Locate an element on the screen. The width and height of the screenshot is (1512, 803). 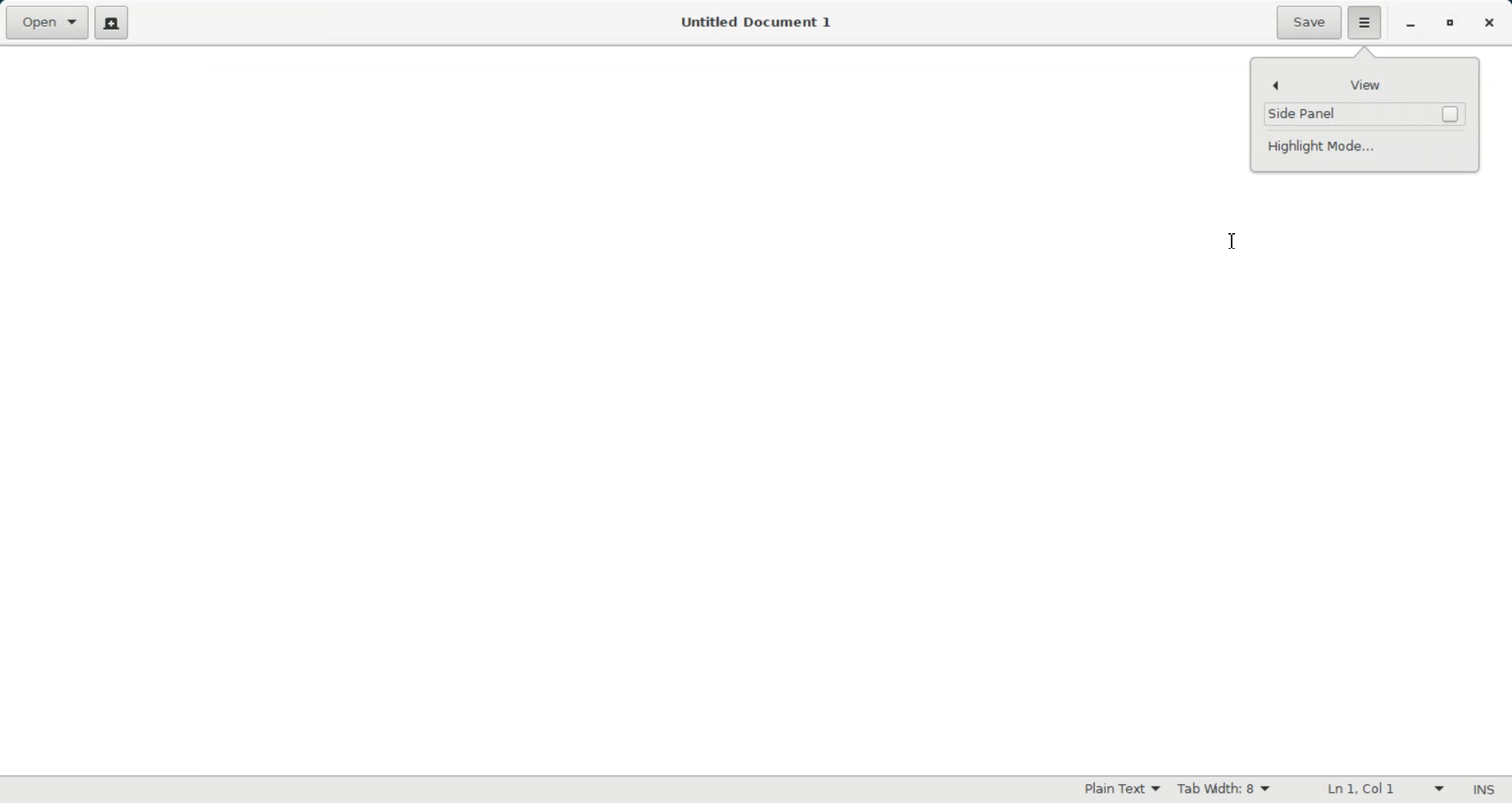
Close is located at coordinates (1488, 24).